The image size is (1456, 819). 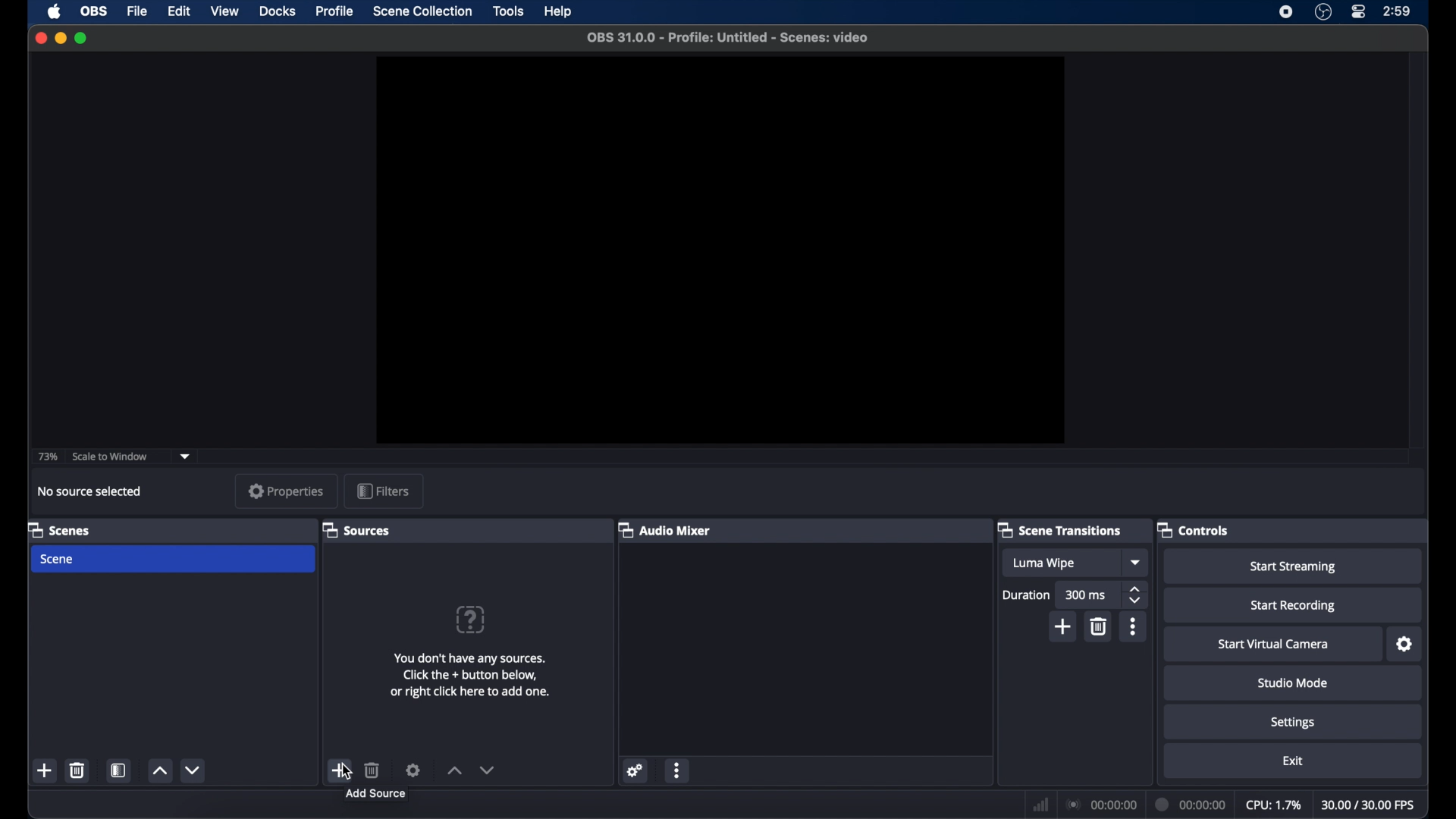 I want to click on stepper buttons, so click(x=1136, y=595).